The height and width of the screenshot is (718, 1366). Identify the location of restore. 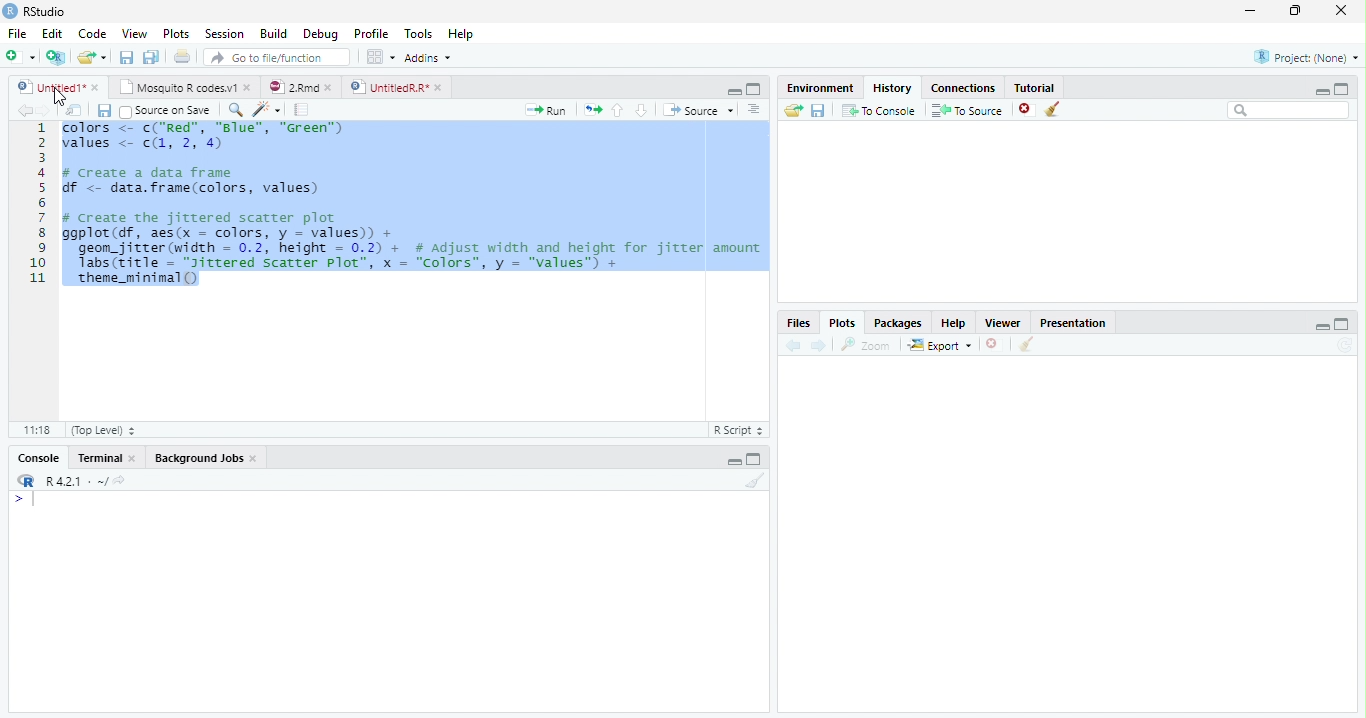
(1295, 11).